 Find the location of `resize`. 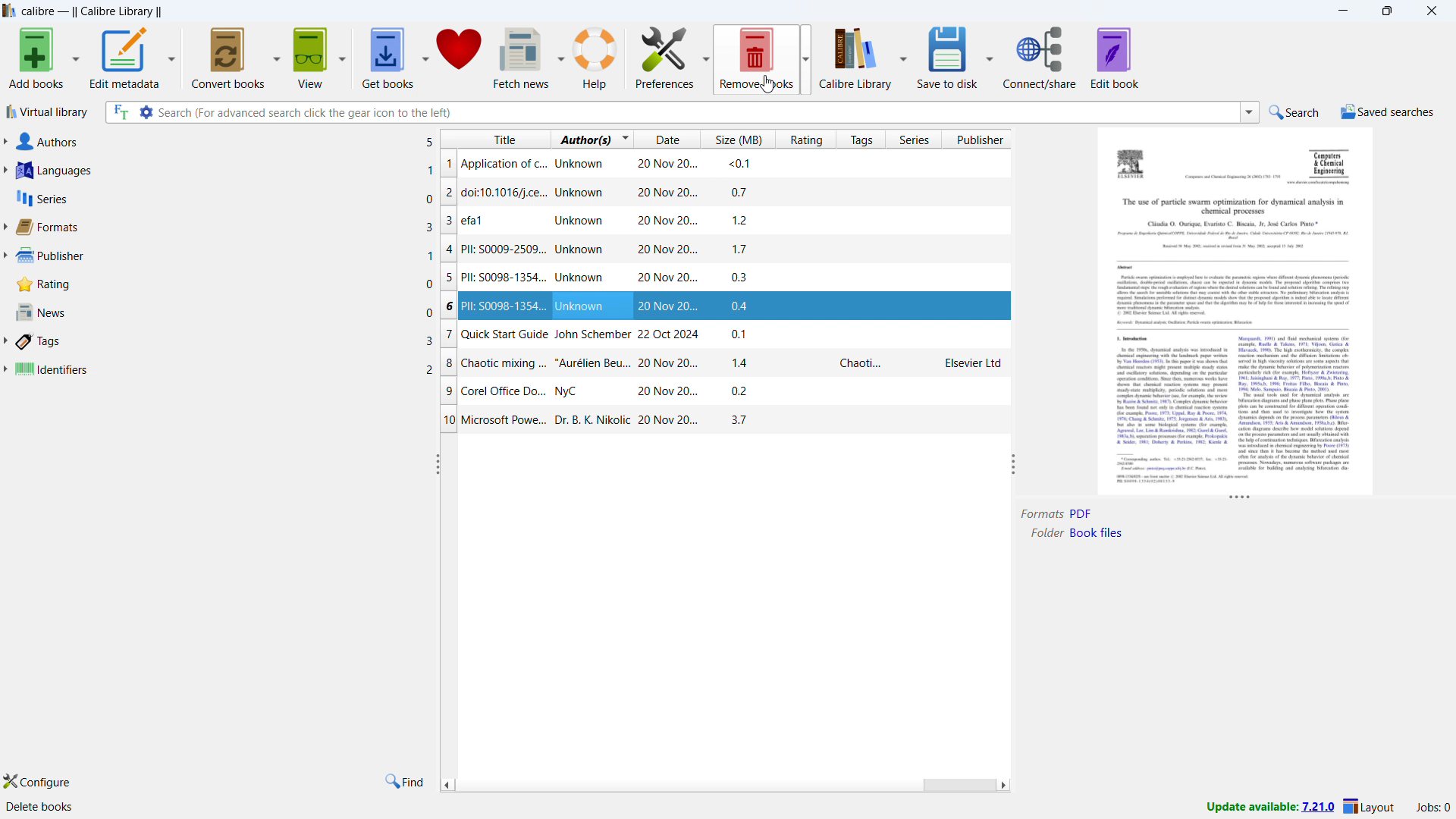

resize is located at coordinates (1015, 463).